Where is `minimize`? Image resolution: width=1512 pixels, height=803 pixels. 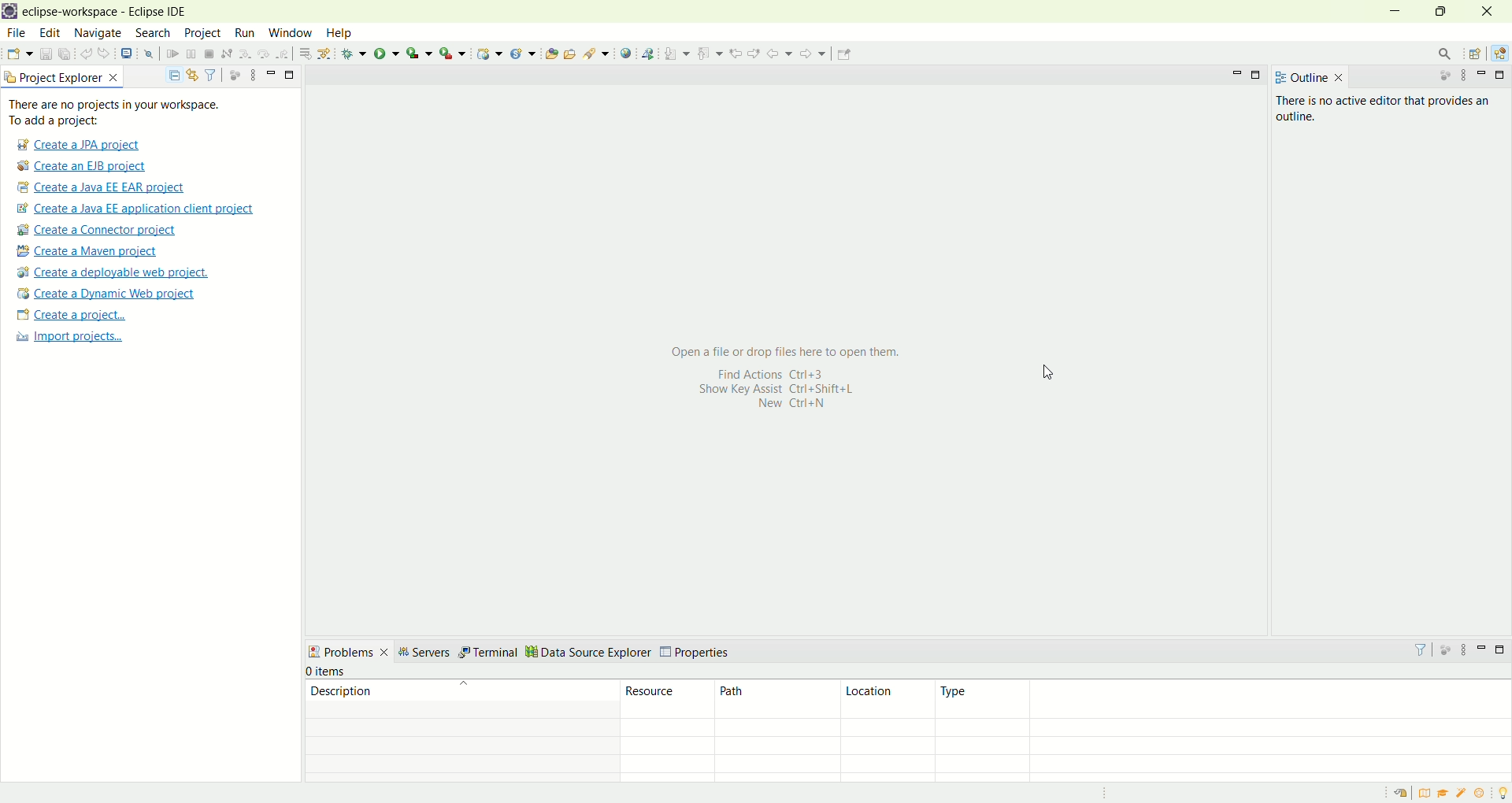
minimize is located at coordinates (1483, 76).